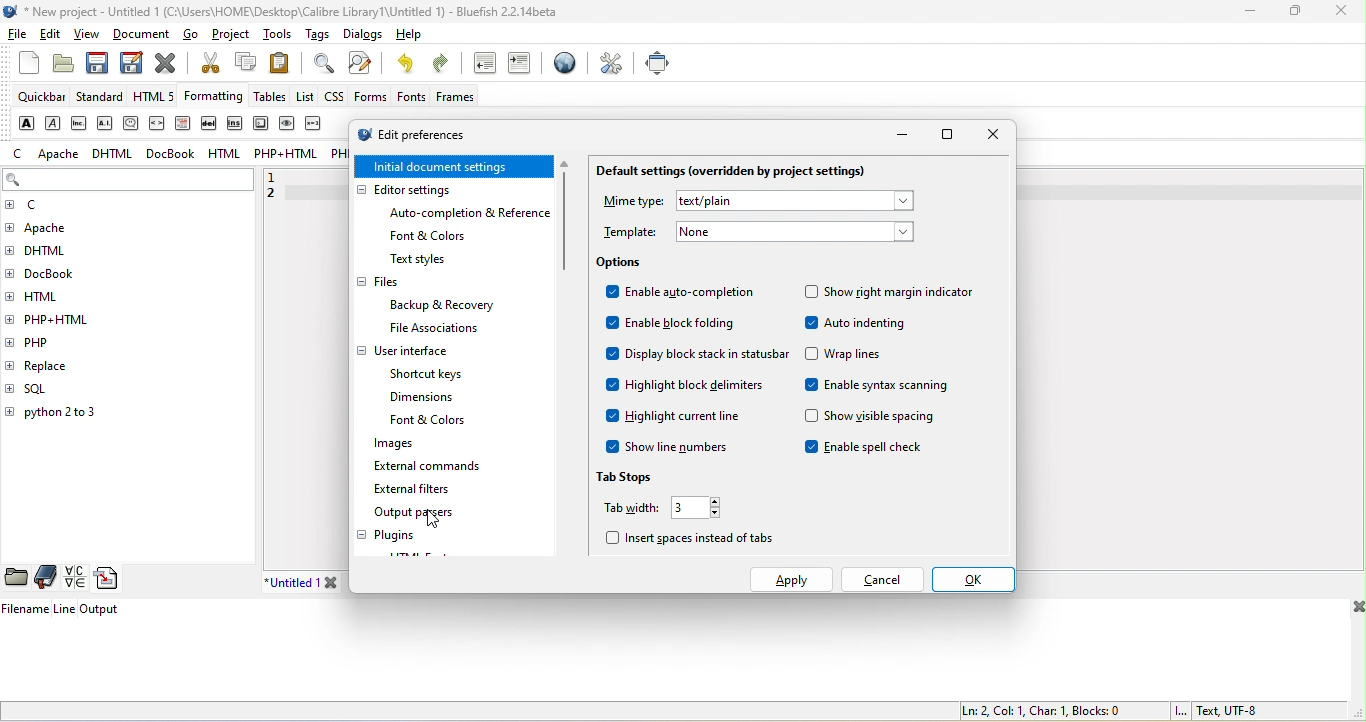 The image size is (1366, 722). What do you see at coordinates (233, 125) in the screenshot?
I see `insert` at bounding box center [233, 125].